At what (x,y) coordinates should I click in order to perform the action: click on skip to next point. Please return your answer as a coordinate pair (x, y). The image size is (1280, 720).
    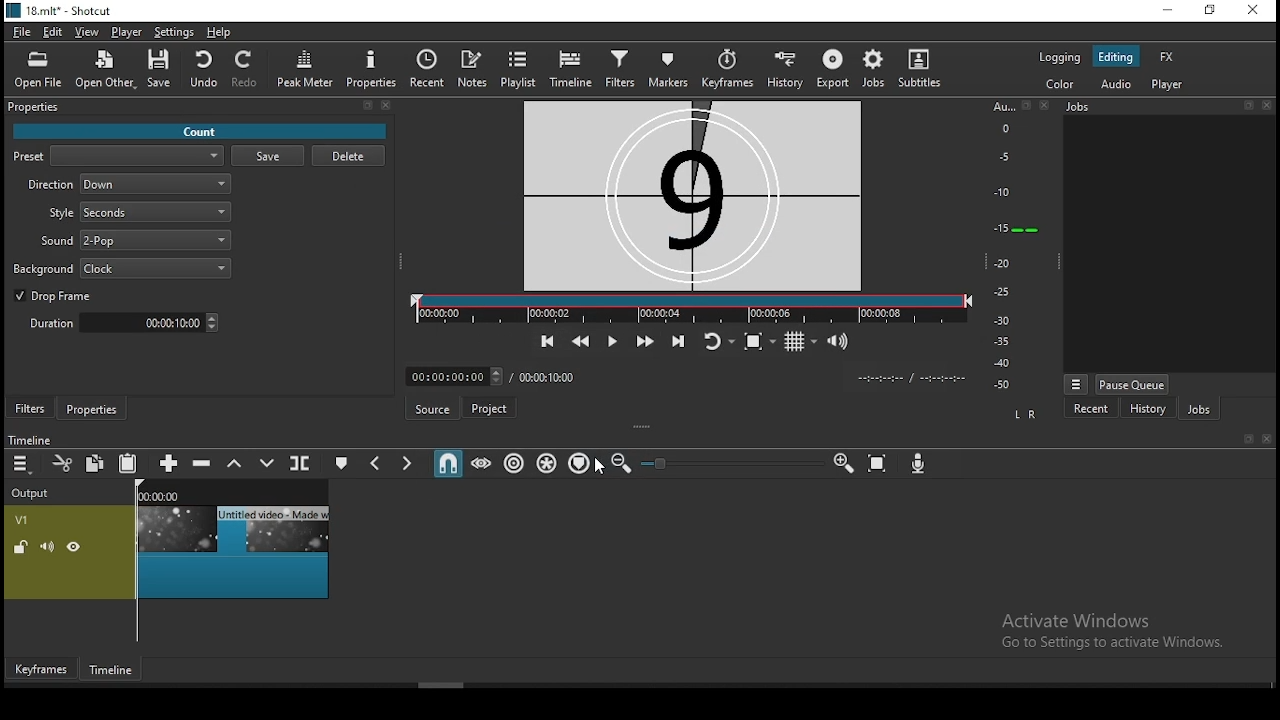
    Looking at the image, I should click on (676, 340).